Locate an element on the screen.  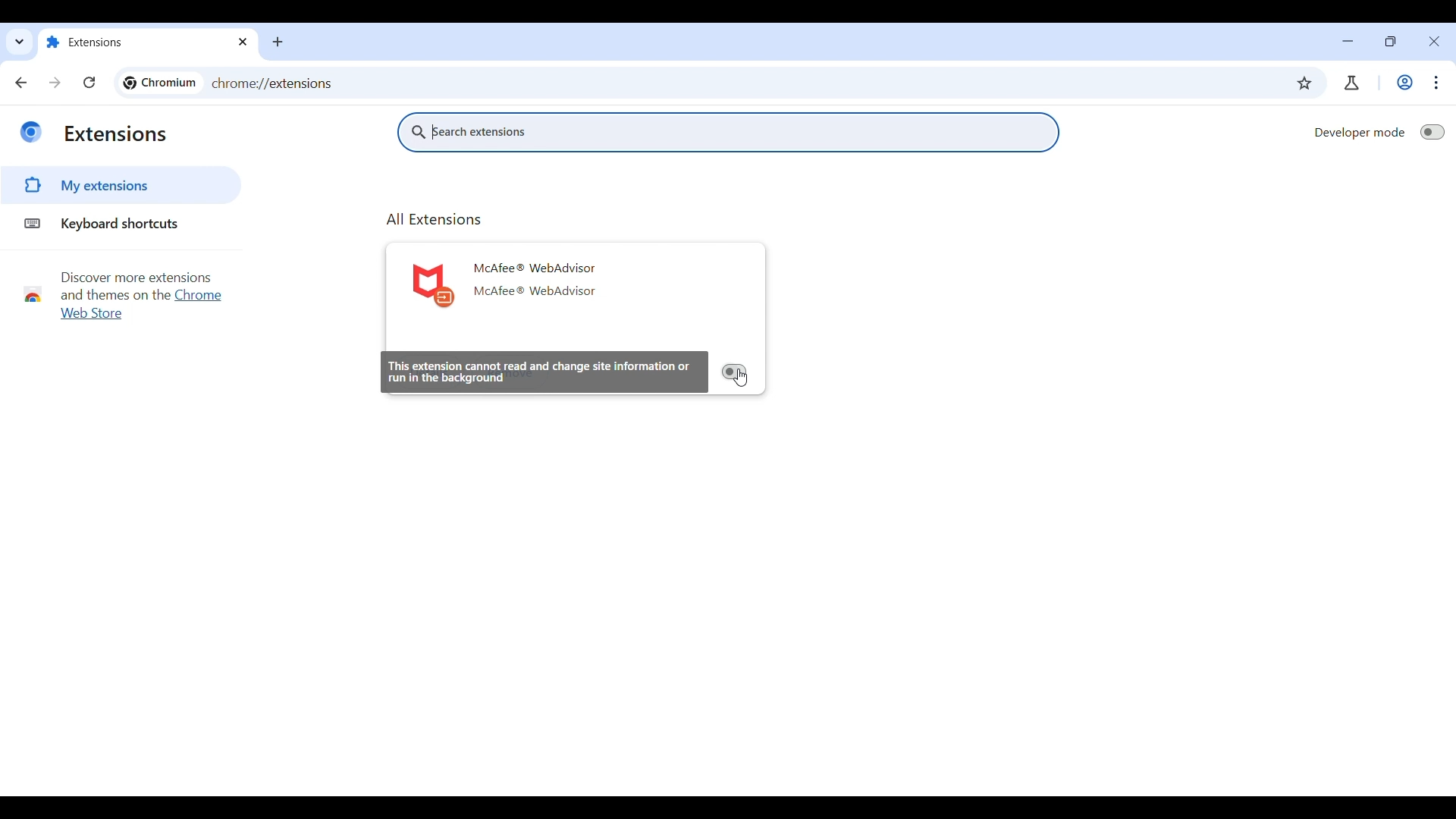
My extensions highlighted  is located at coordinates (91, 185).